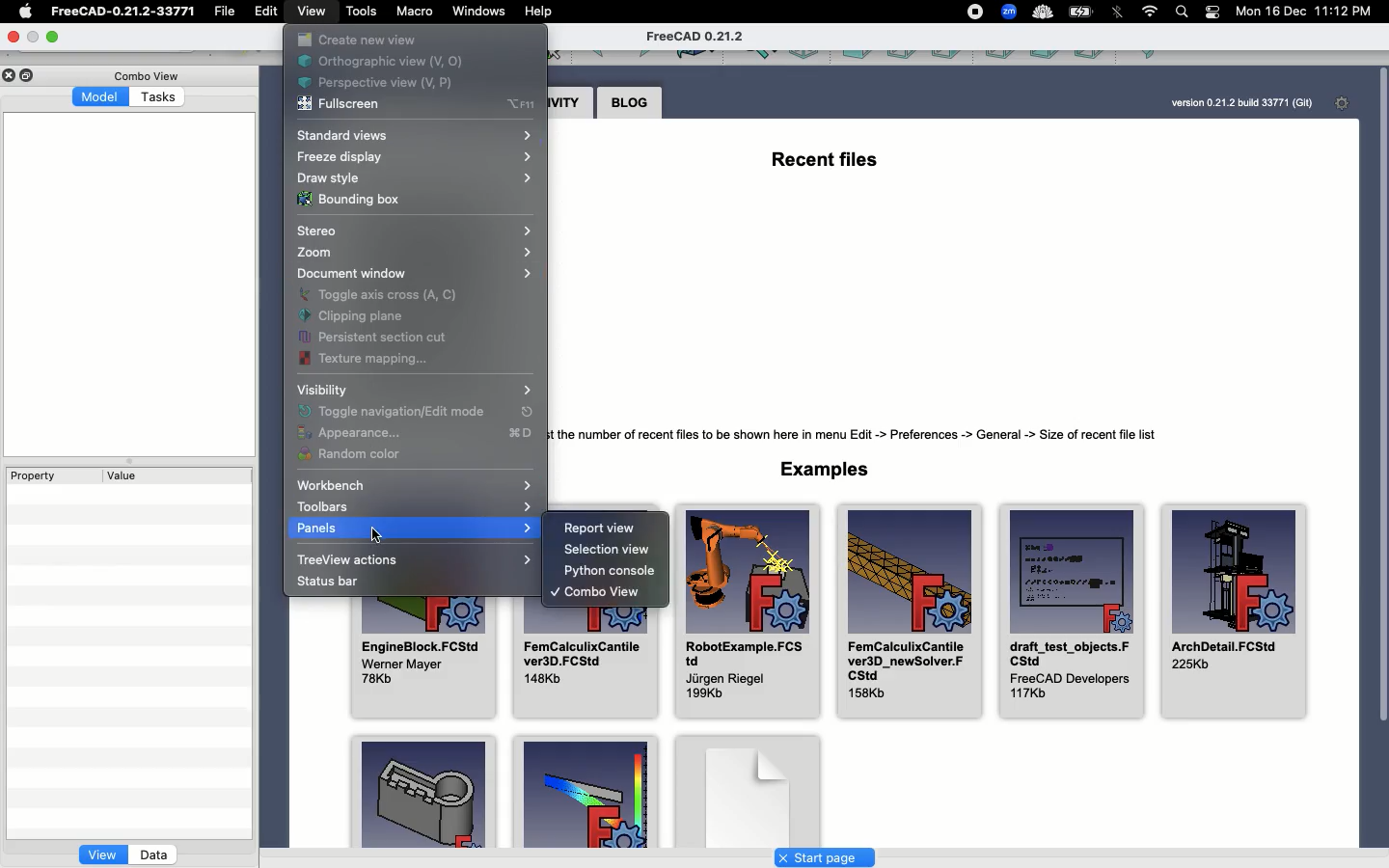 This screenshot has height=868, width=1389. Describe the element at coordinates (369, 359) in the screenshot. I see `Texture mapping ` at that location.